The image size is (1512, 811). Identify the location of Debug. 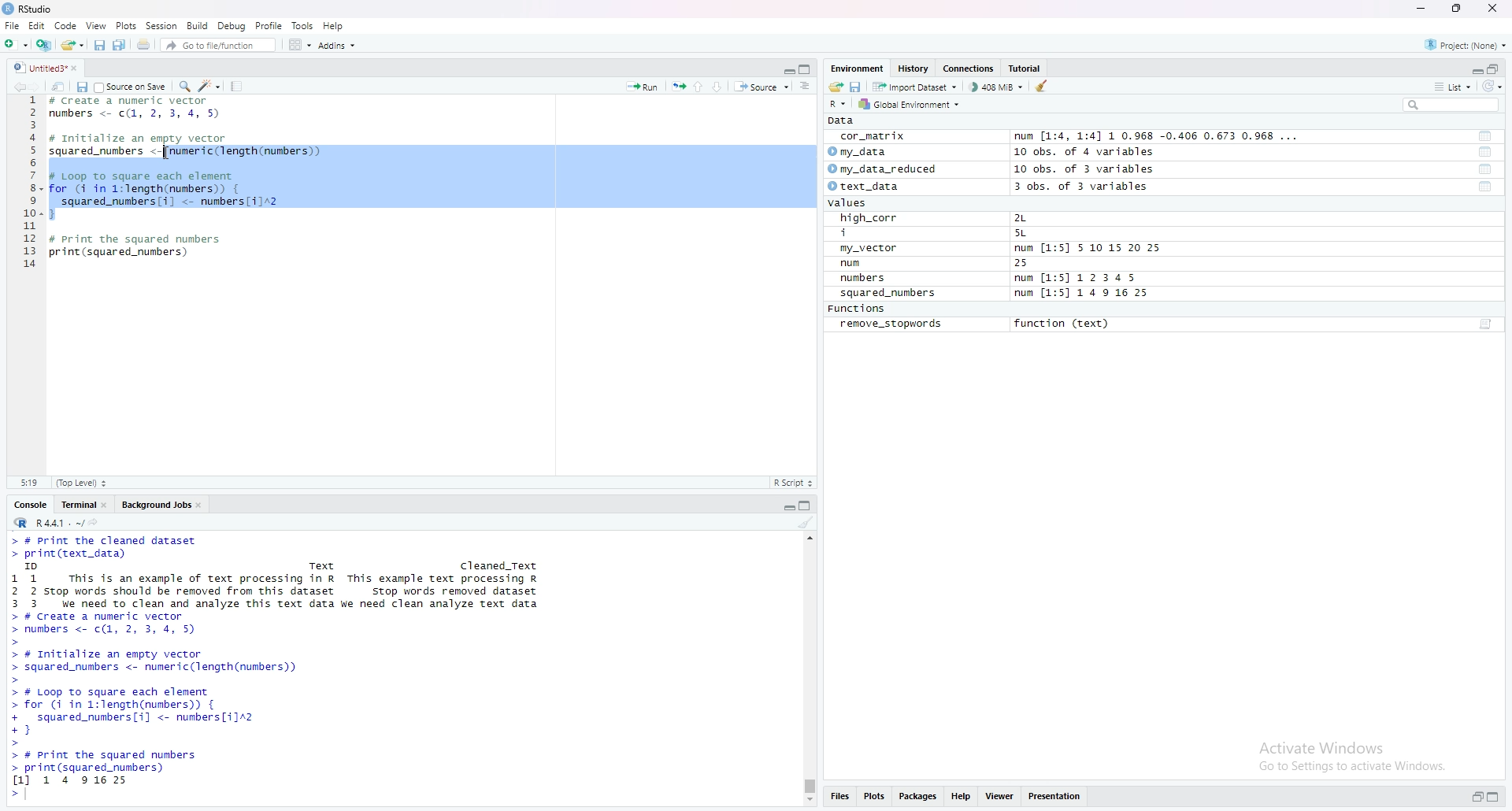
(232, 25).